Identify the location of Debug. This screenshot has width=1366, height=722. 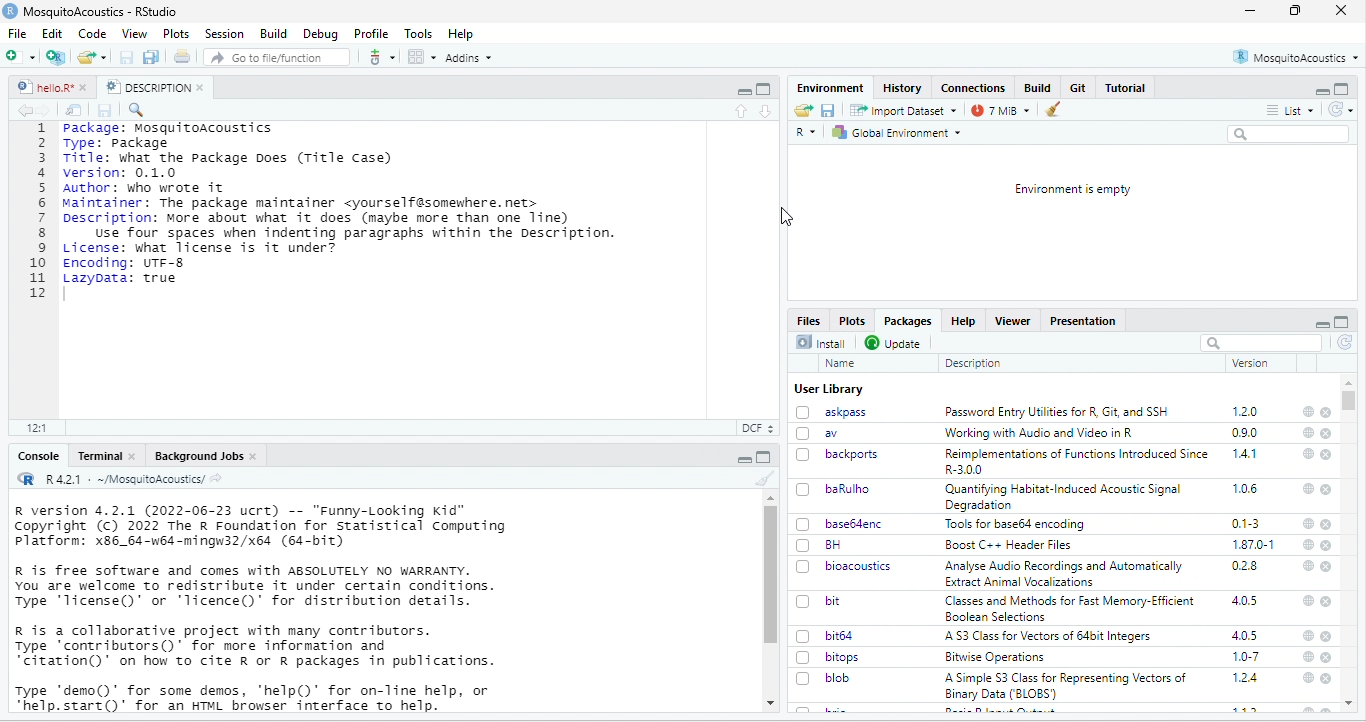
(321, 35).